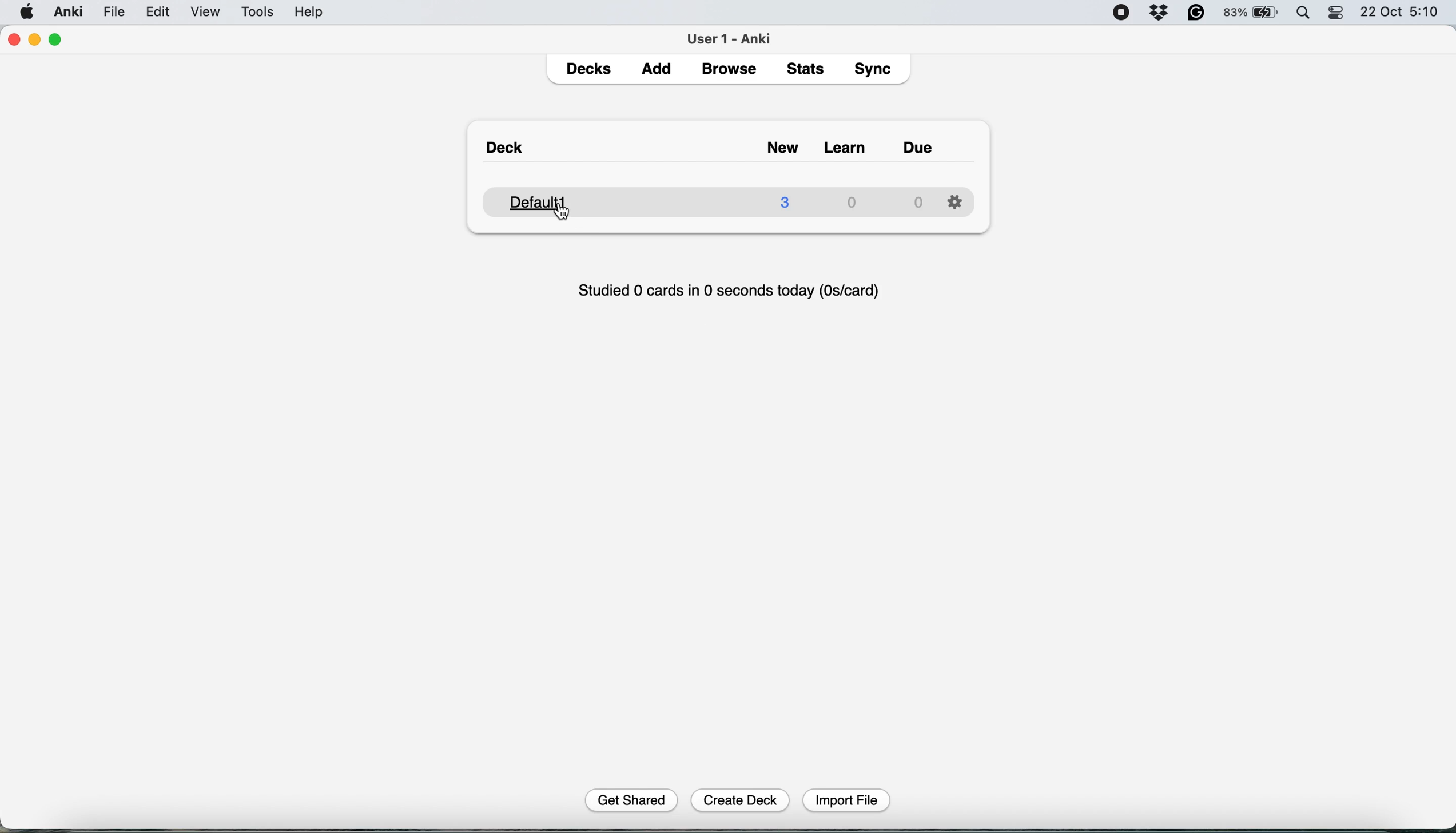  What do you see at coordinates (787, 149) in the screenshot?
I see `new` at bounding box center [787, 149].